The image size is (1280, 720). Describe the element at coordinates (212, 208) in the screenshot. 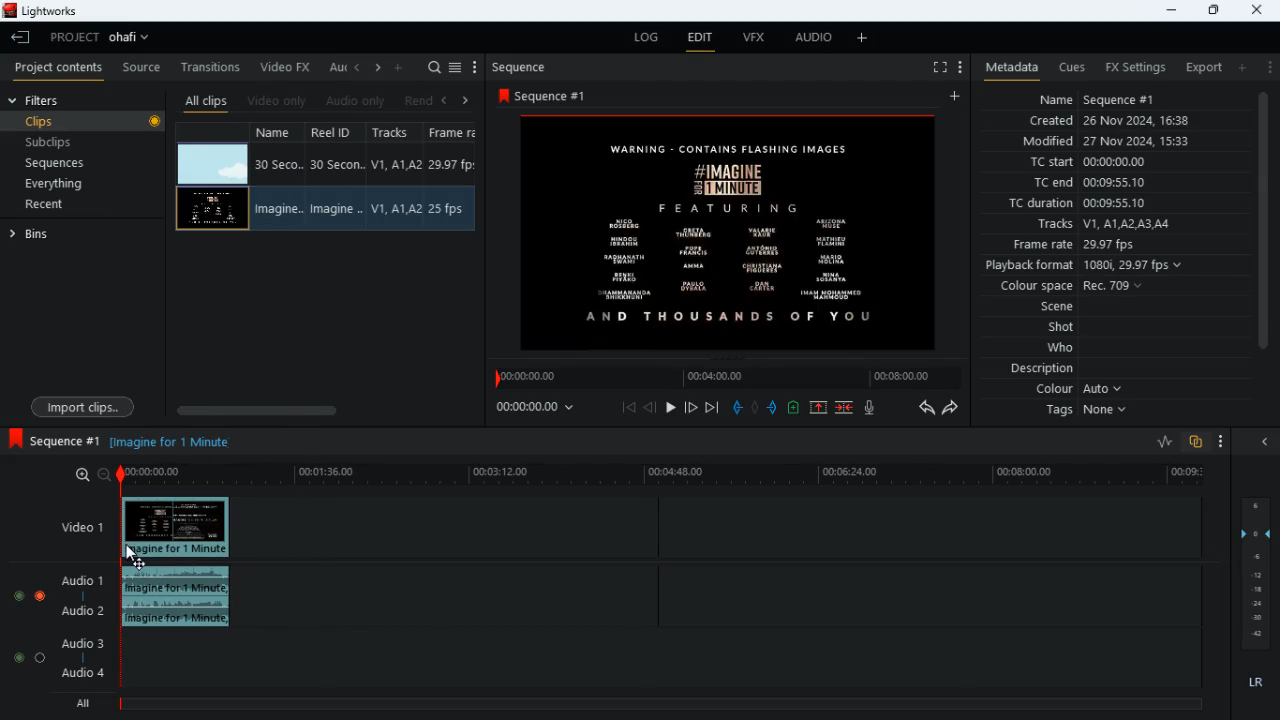

I see `video` at that location.